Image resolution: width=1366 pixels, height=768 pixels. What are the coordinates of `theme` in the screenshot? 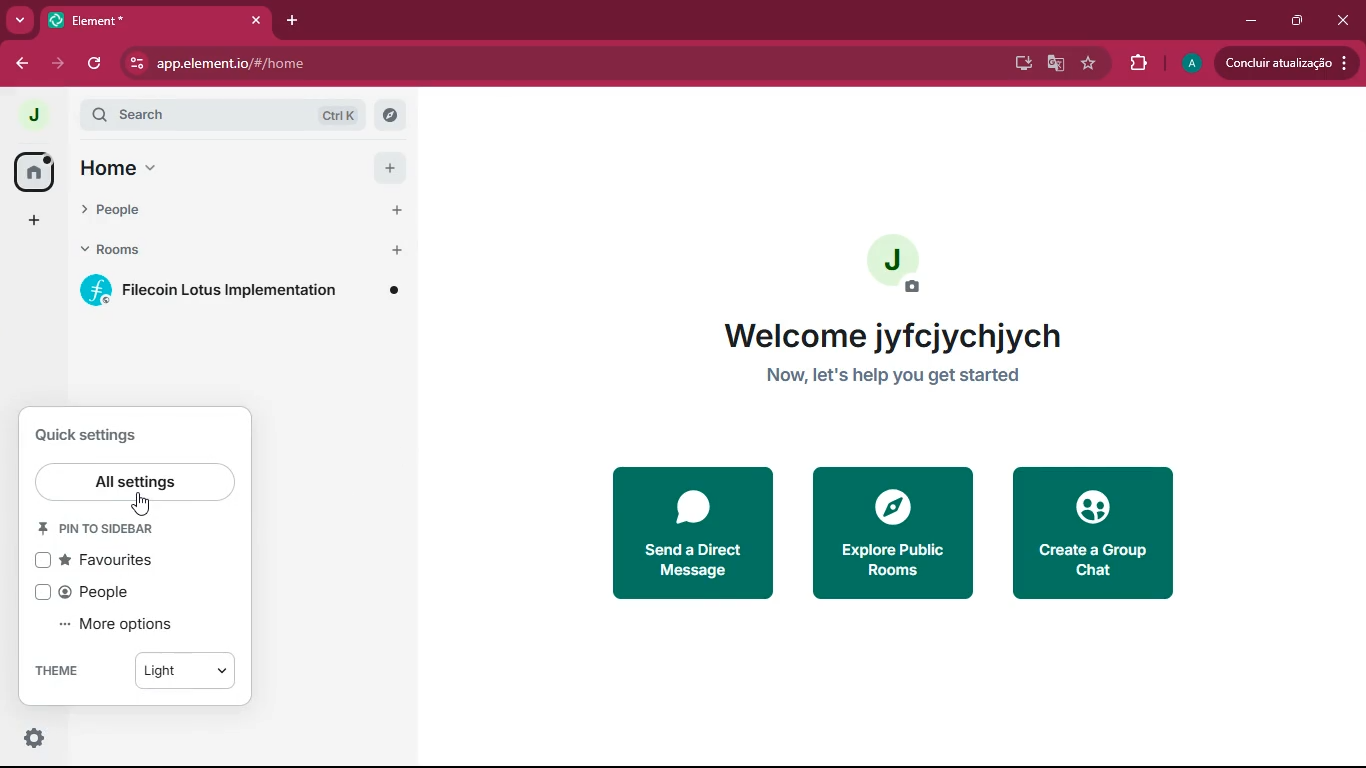 It's located at (59, 668).